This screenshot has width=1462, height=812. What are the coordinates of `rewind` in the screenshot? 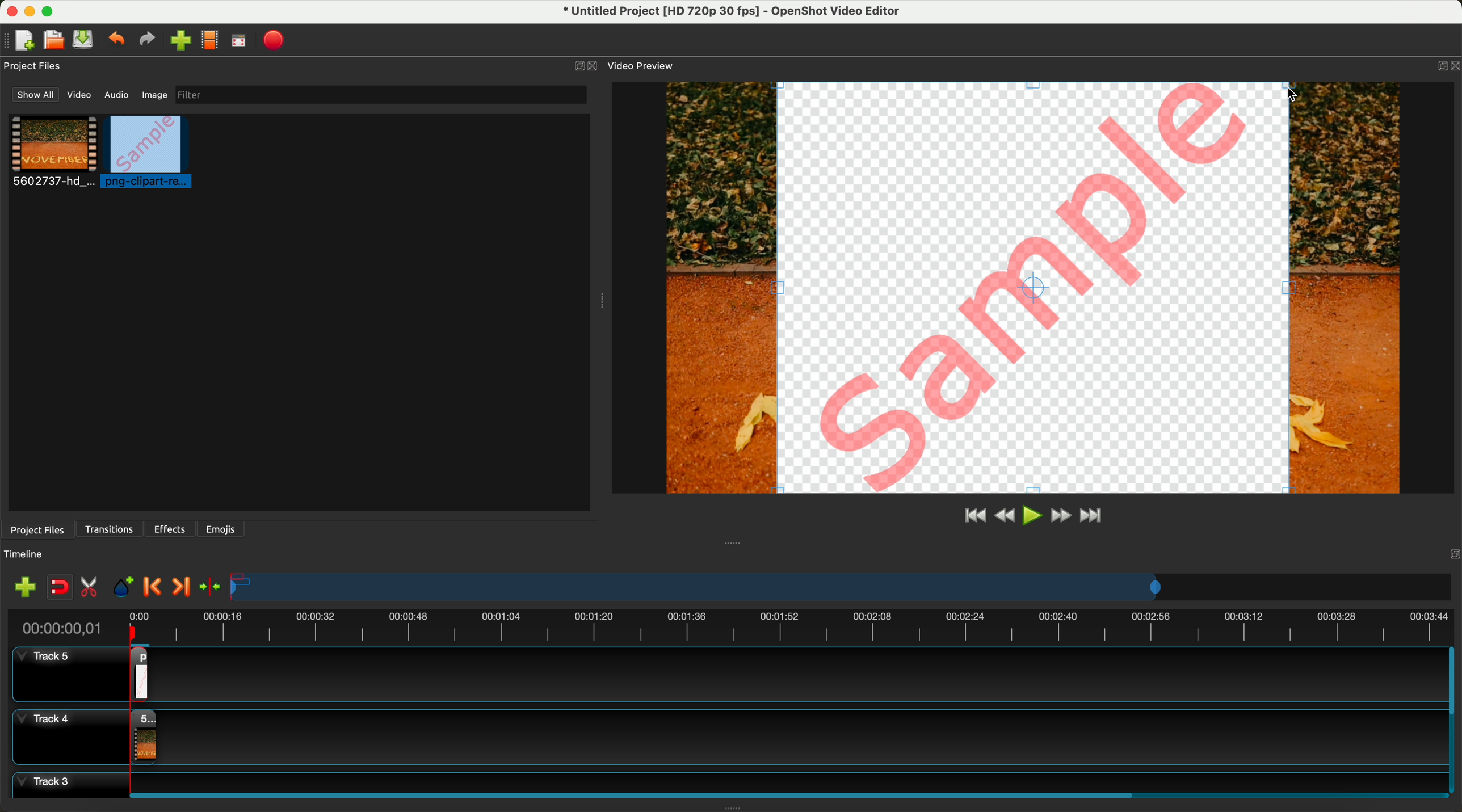 It's located at (1003, 517).